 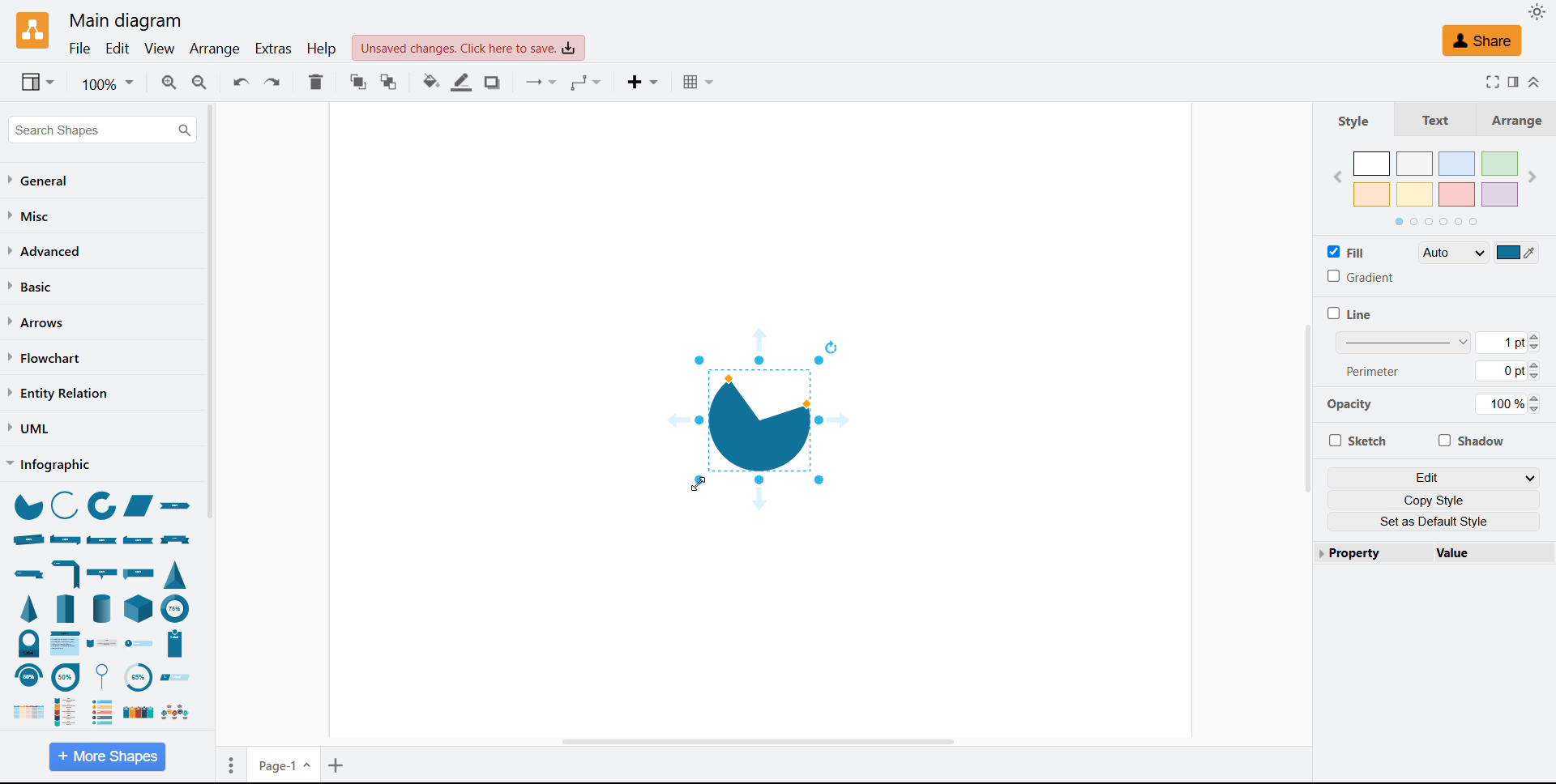 I want to click on bar with callout, so click(x=101, y=573).